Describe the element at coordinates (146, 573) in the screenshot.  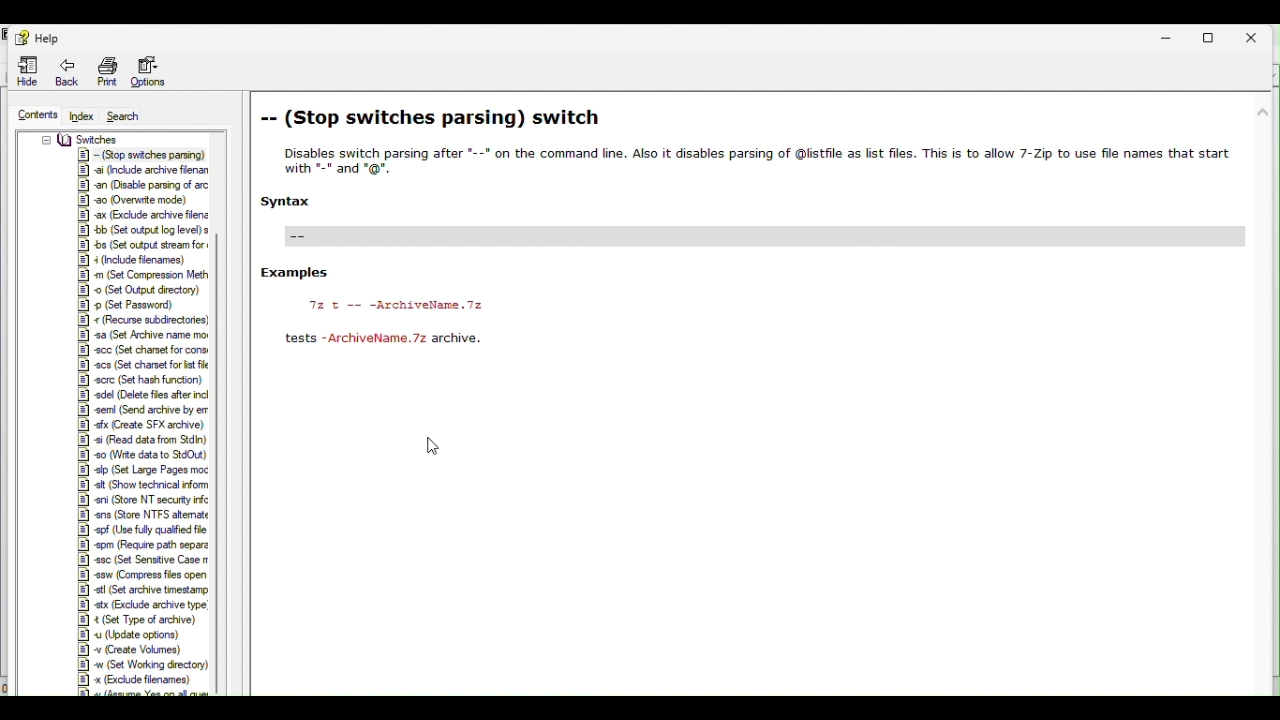
I see `` at that location.